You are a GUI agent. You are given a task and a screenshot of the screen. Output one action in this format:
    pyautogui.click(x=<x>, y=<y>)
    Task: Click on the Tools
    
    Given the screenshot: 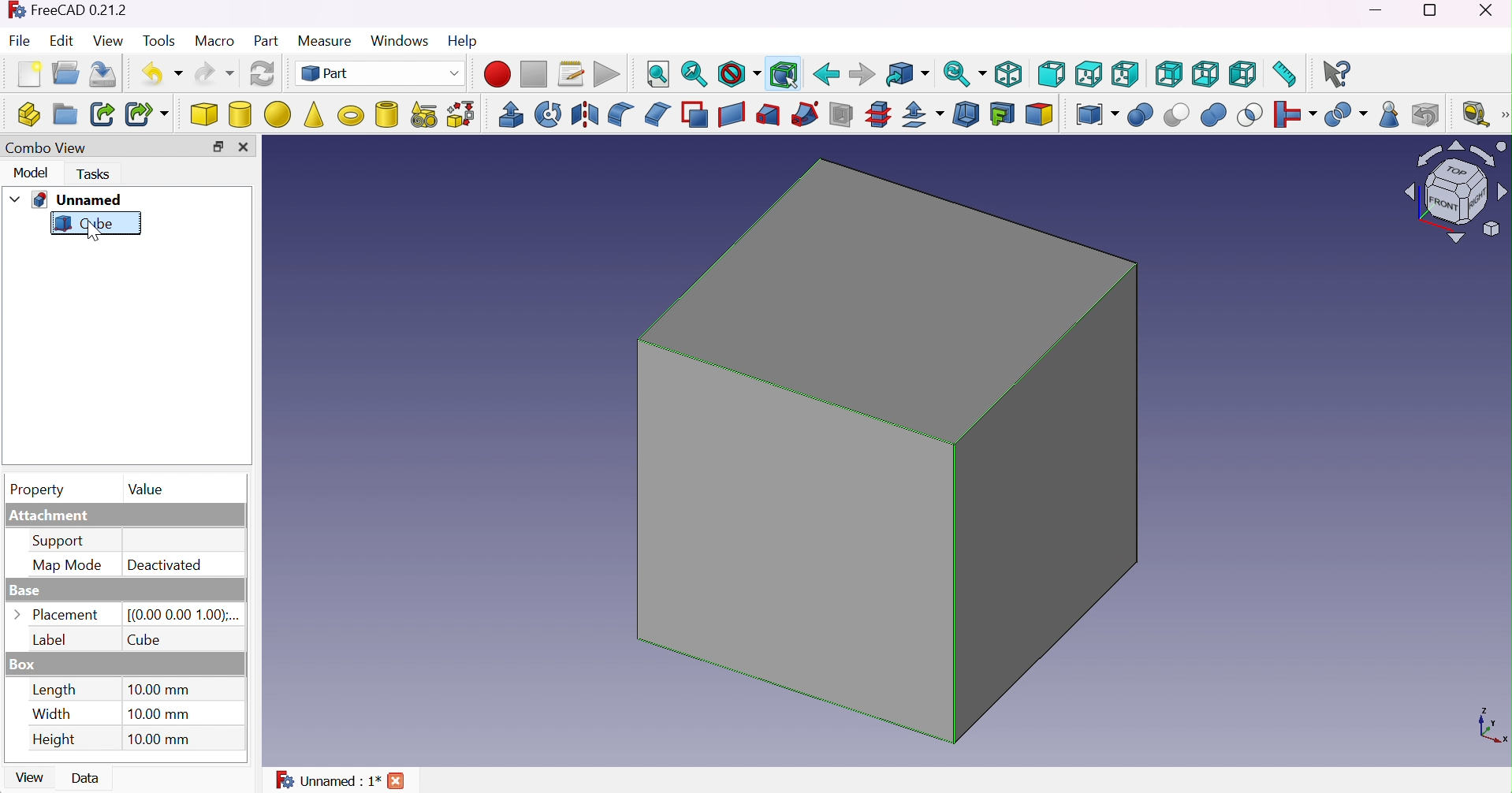 What is the action you would take?
    pyautogui.click(x=158, y=38)
    